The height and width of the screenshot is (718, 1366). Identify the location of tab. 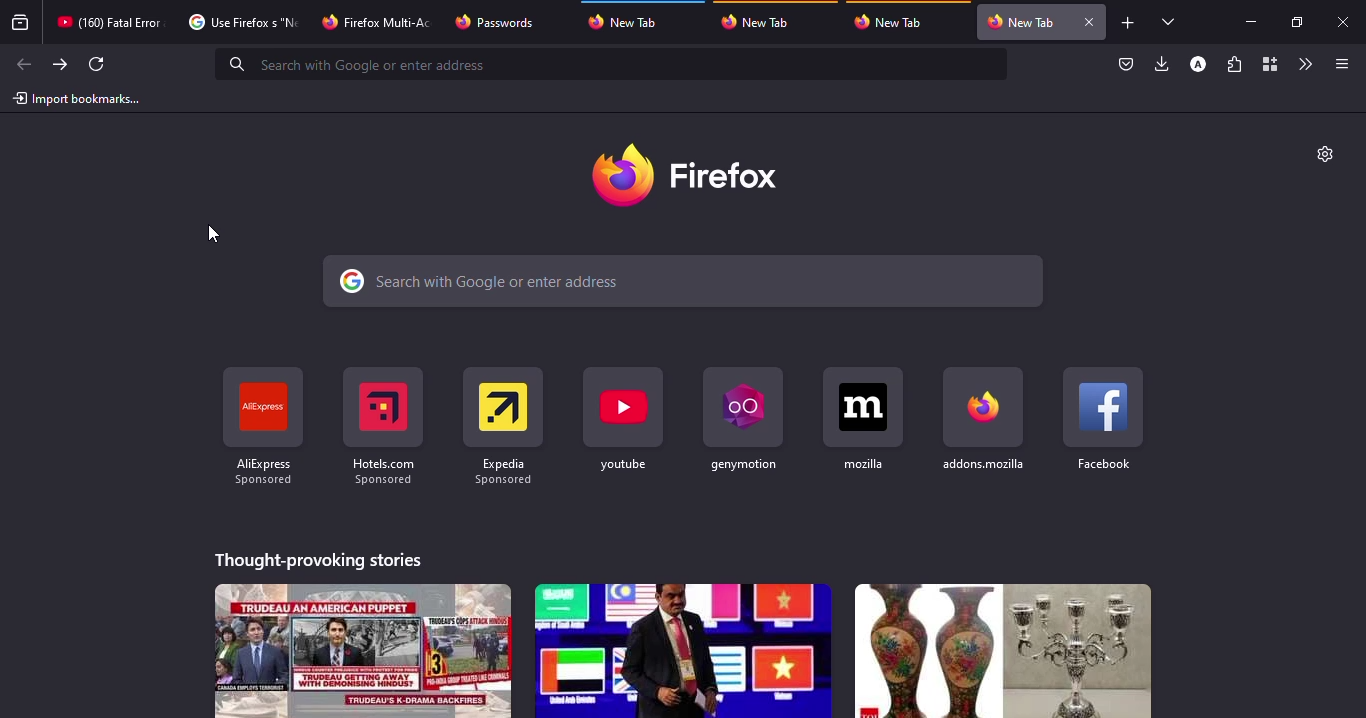
(245, 21).